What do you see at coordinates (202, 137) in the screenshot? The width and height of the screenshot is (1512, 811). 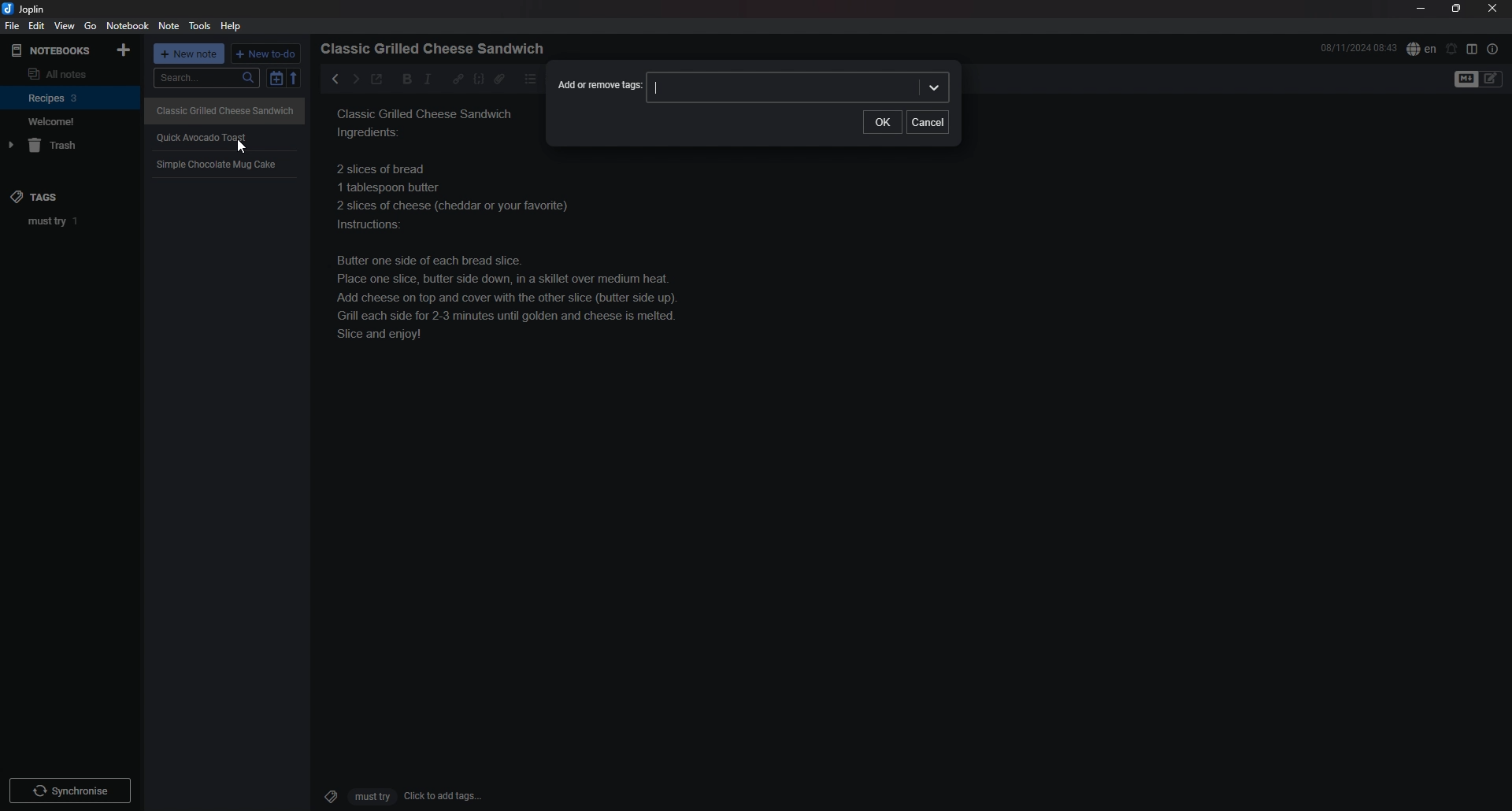 I see `recipe` at bounding box center [202, 137].